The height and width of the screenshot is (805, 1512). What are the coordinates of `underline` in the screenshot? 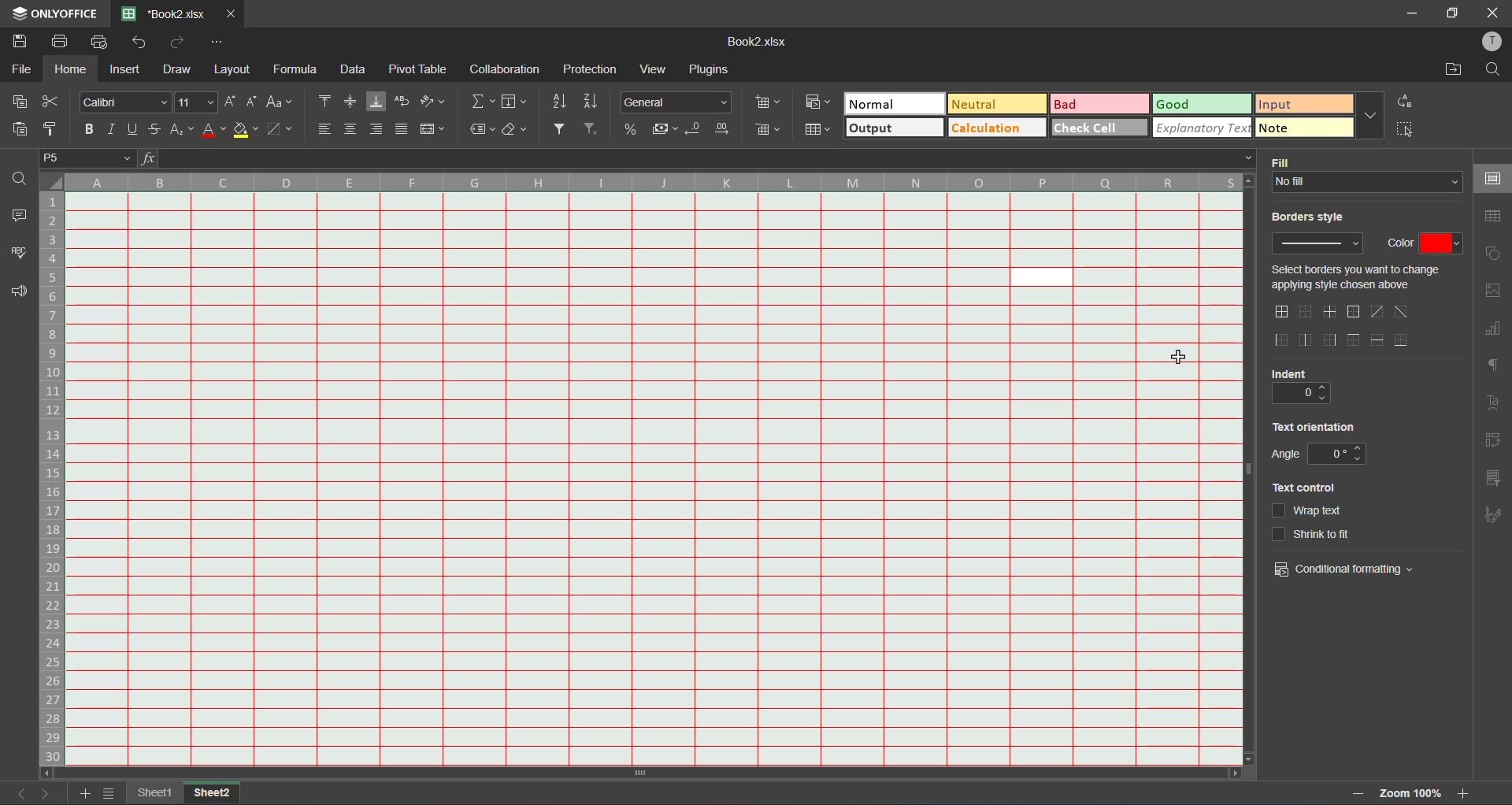 It's located at (132, 128).